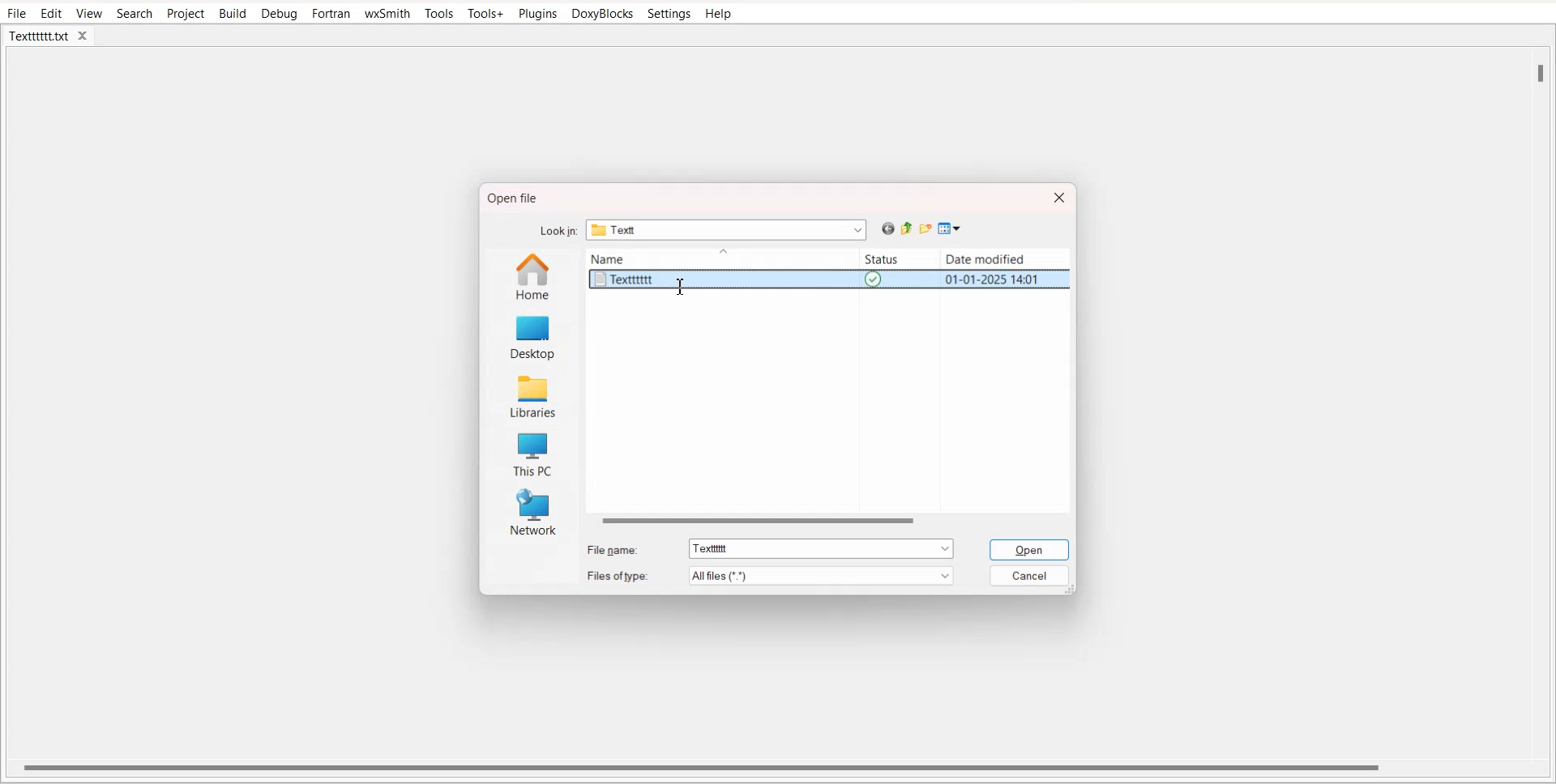 The width and height of the screenshot is (1556, 784). I want to click on Selected filename, so click(822, 548).